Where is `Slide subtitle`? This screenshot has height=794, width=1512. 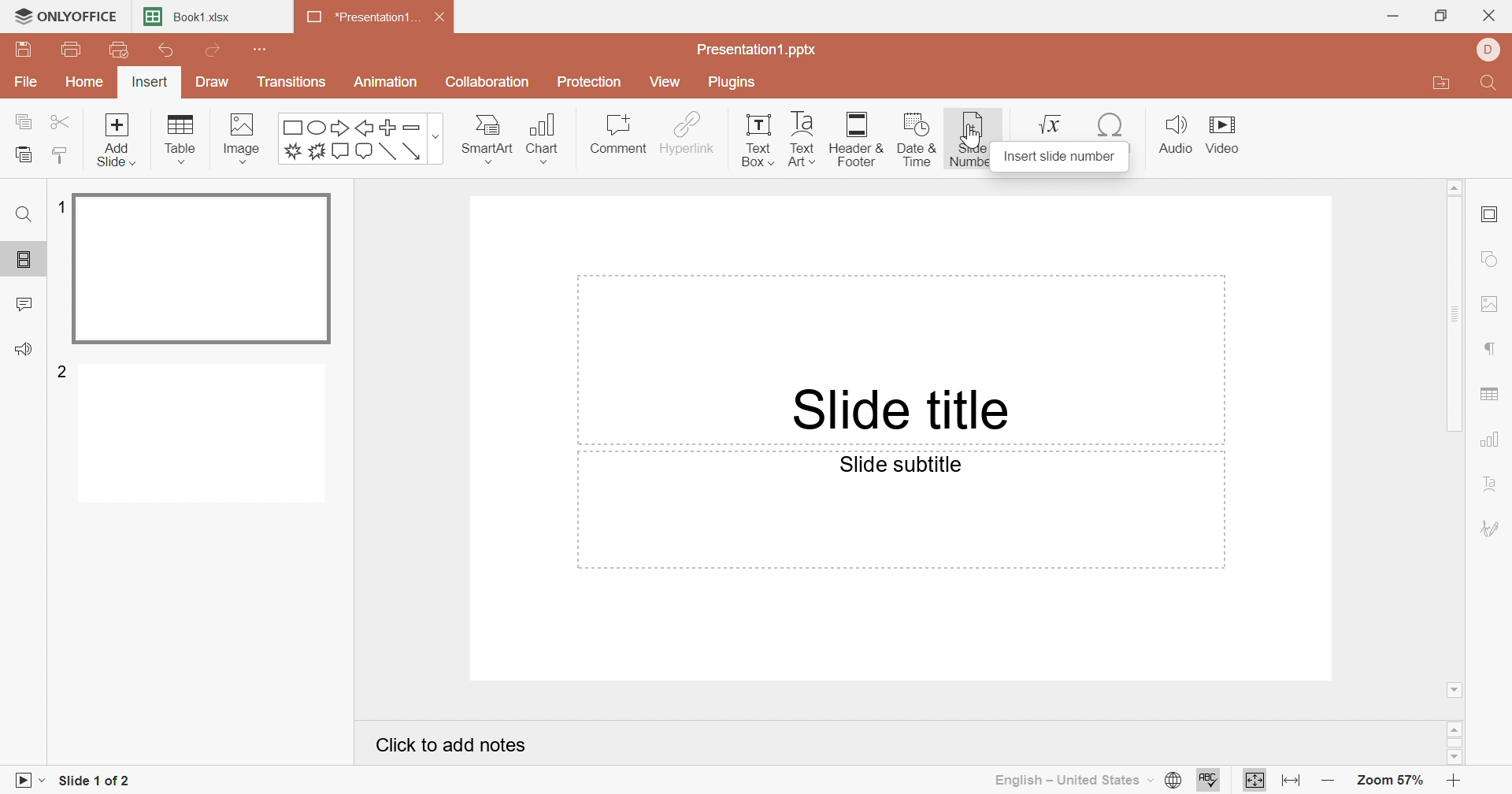 Slide subtitle is located at coordinates (901, 465).